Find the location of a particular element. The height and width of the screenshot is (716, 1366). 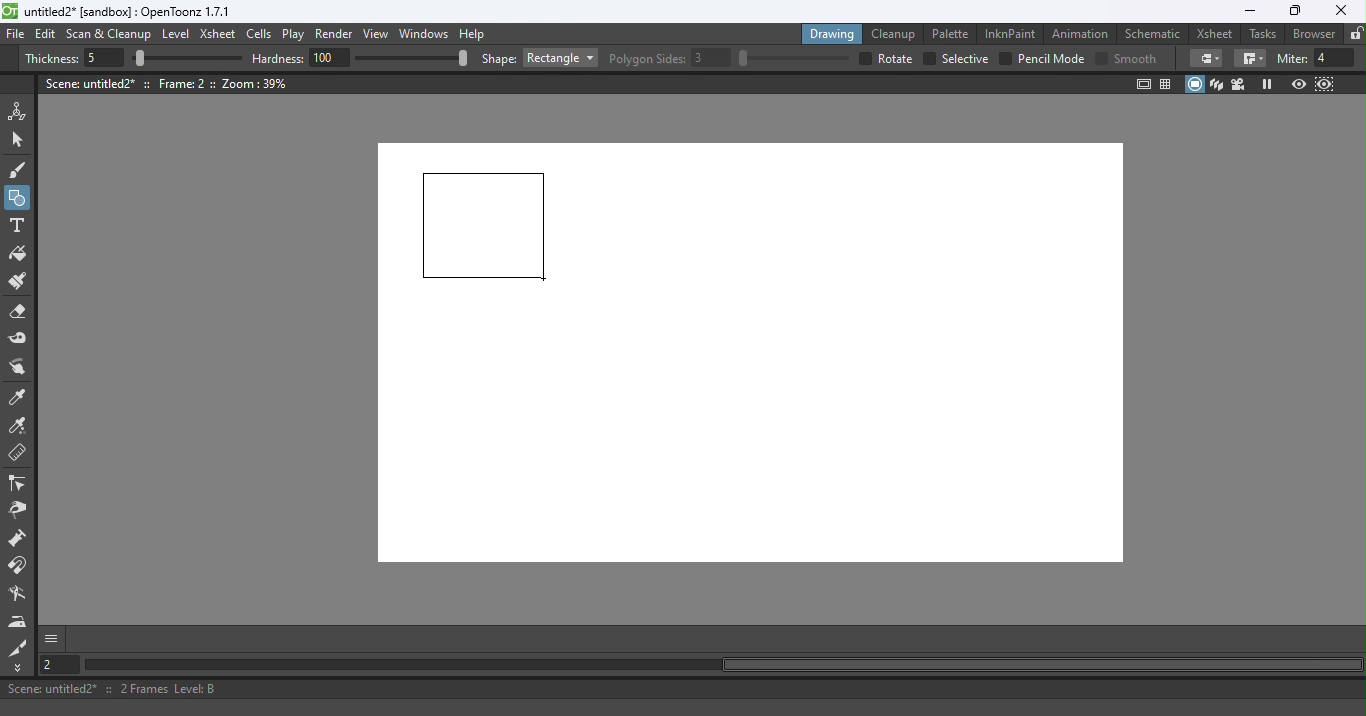

checkbox is located at coordinates (1005, 58).